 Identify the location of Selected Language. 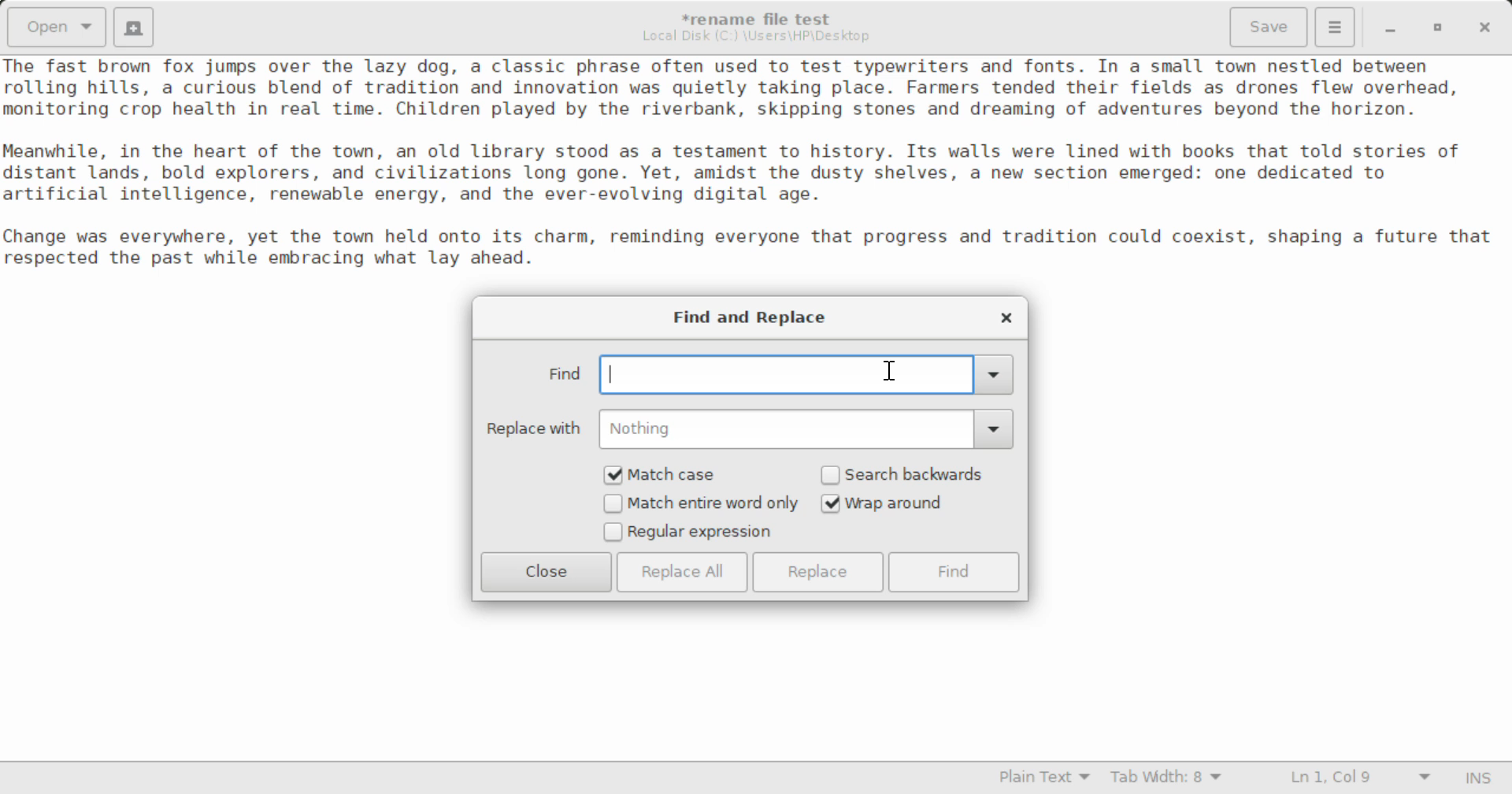
(1036, 779).